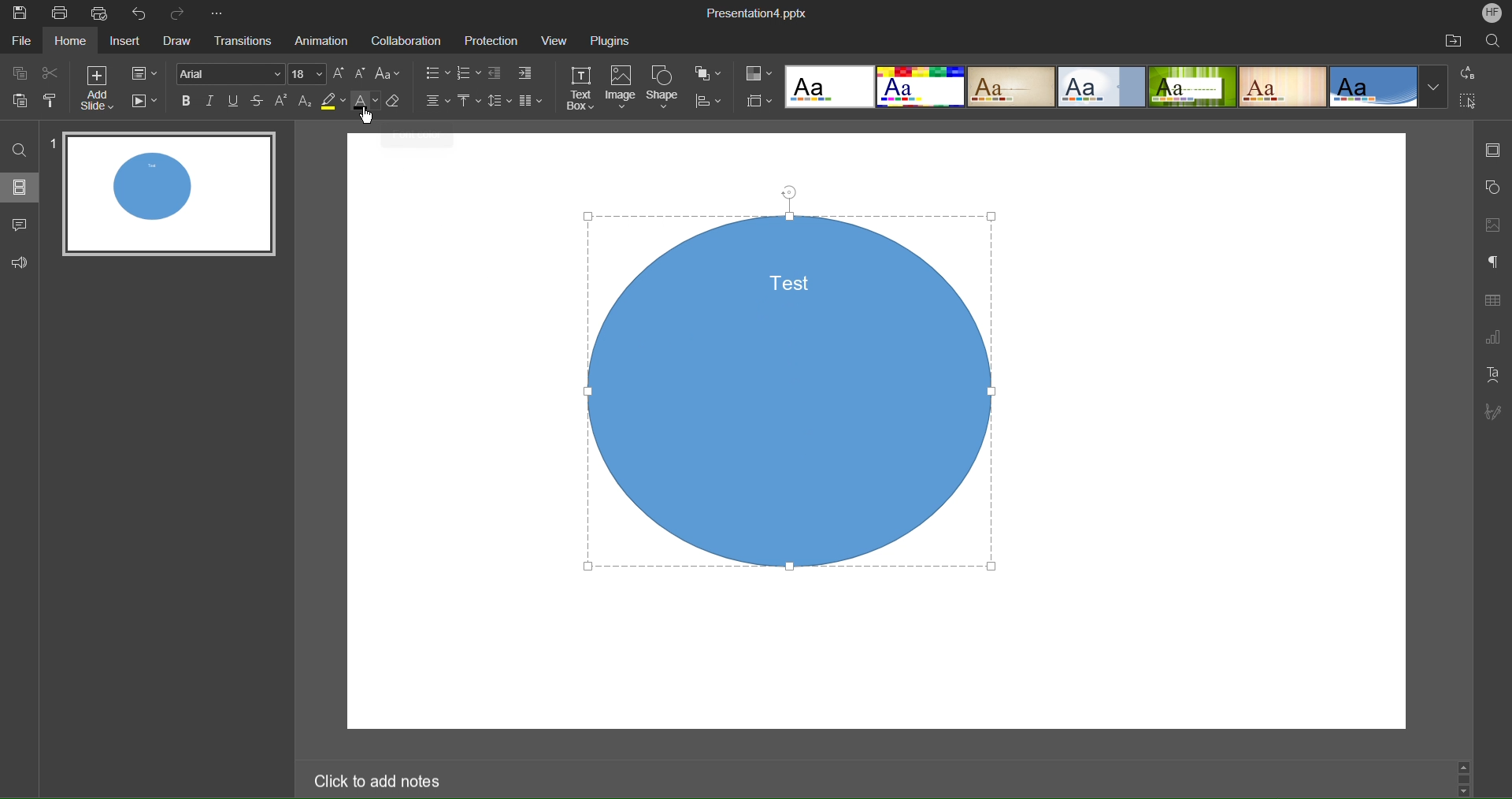 The height and width of the screenshot is (799, 1512). Describe the element at coordinates (23, 150) in the screenshot. I see `Find` at that location.